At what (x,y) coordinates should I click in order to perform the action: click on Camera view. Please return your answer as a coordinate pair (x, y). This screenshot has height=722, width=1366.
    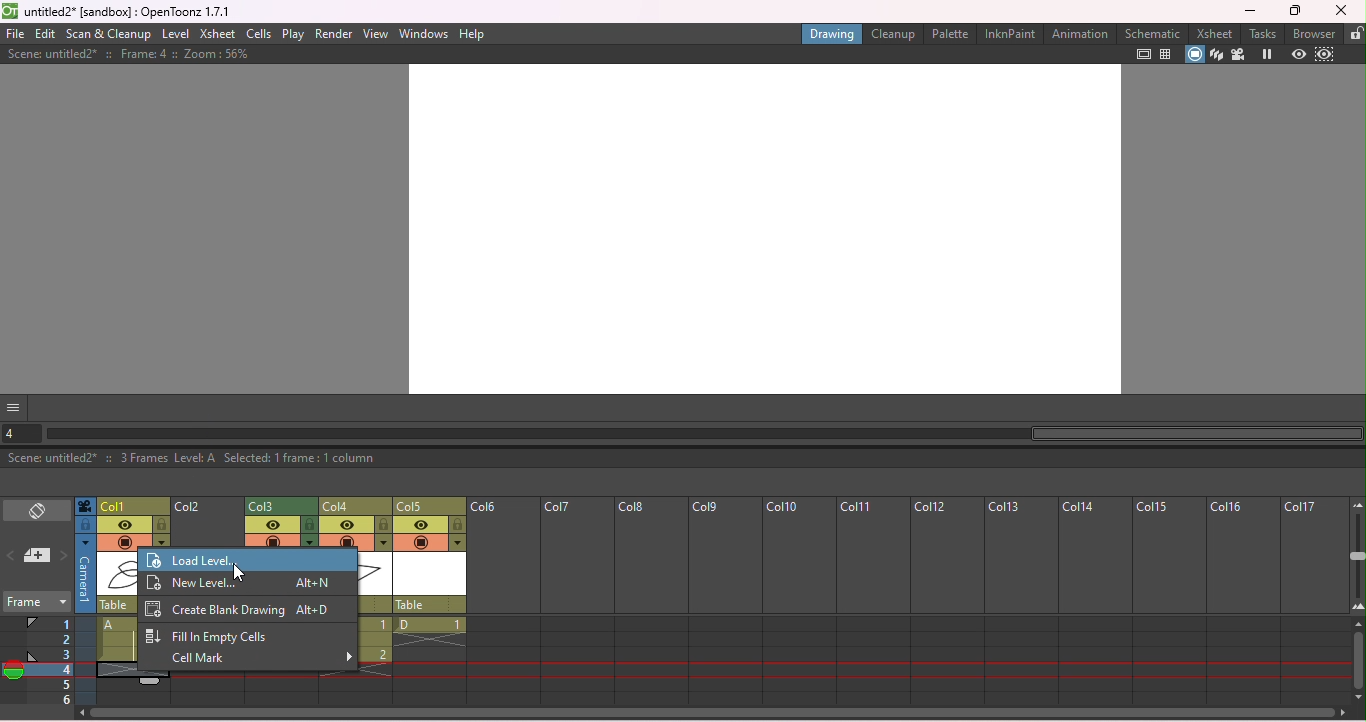
    Looking at the image, I should click on (1238, 55).